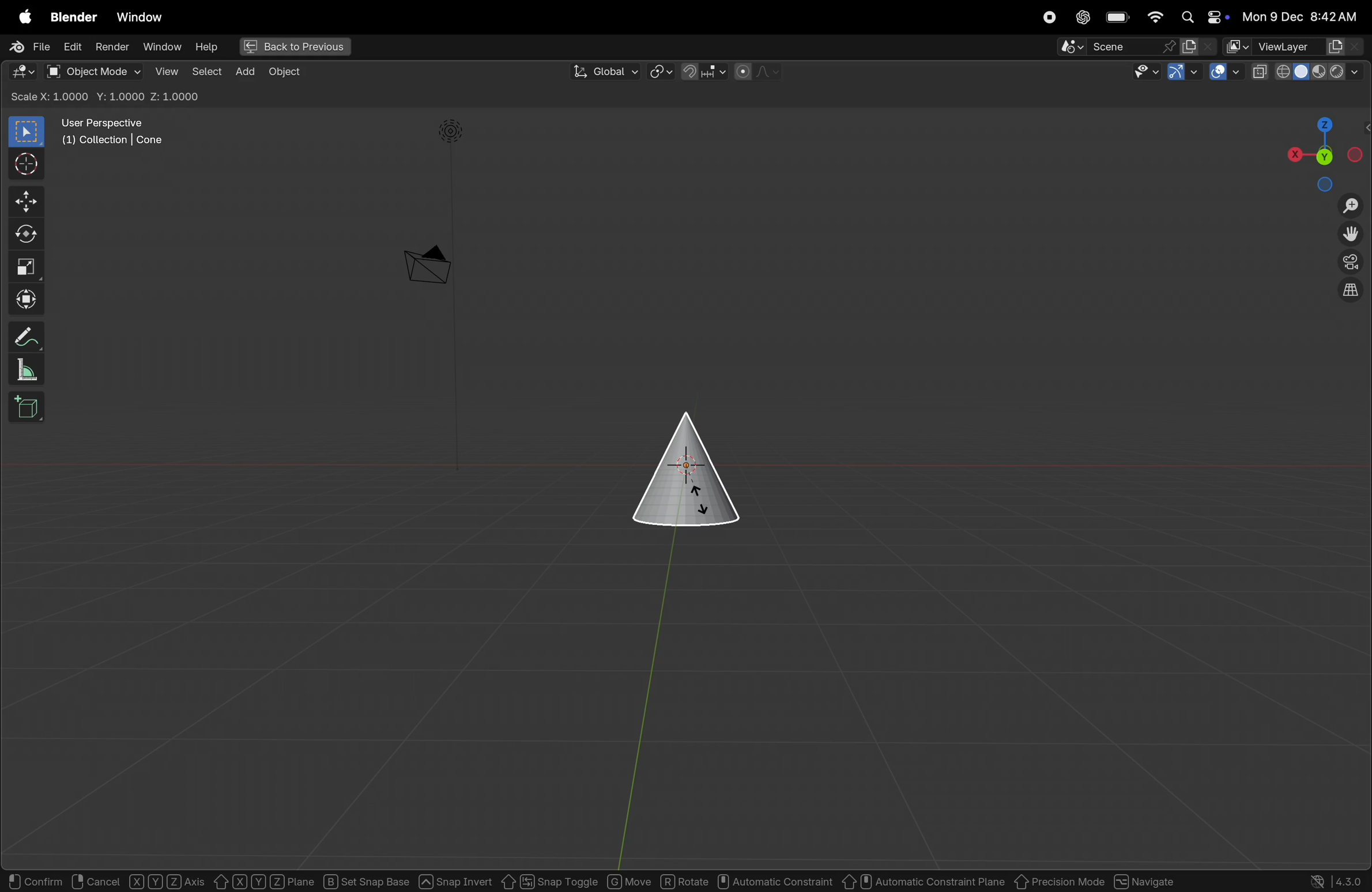 The image size is (1372, 892). I want to click on new scene, so click(1197, 46).